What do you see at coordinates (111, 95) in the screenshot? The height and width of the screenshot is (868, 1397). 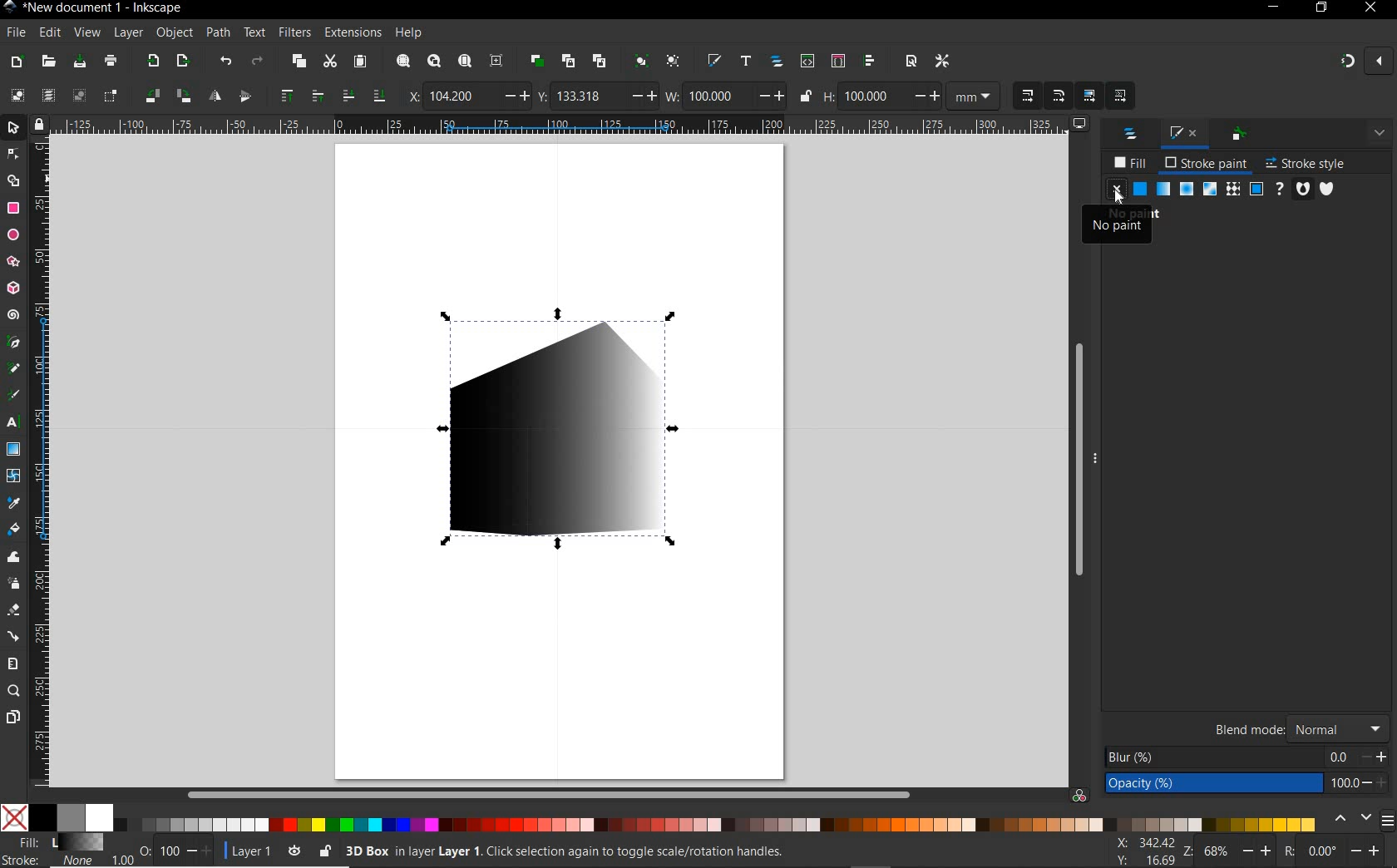 I see `TOGGLE SELECTION BOX` at bounding box center [111, 95].